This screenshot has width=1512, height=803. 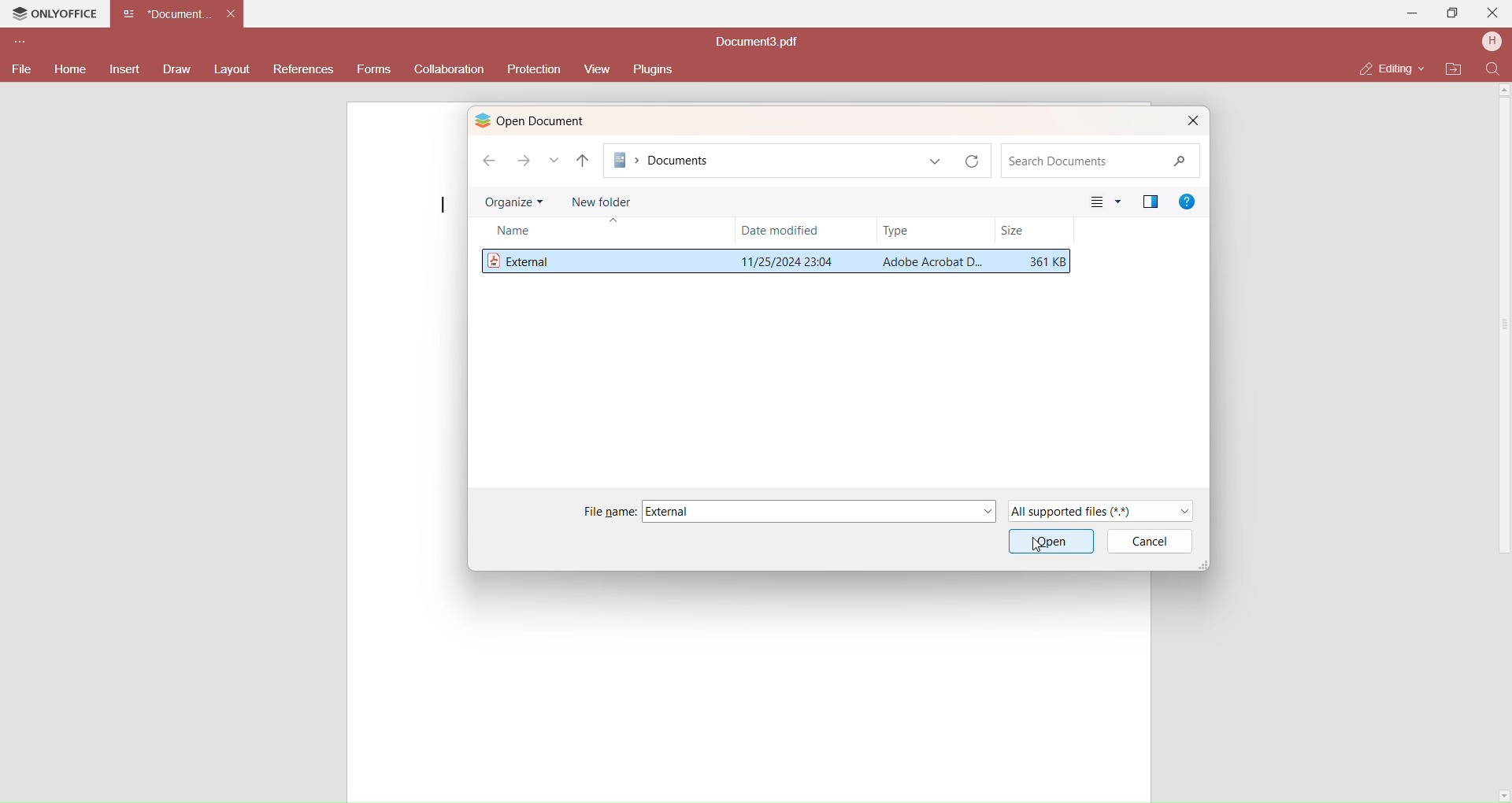 I want to click on Editing, so click(x=1385, y=68).